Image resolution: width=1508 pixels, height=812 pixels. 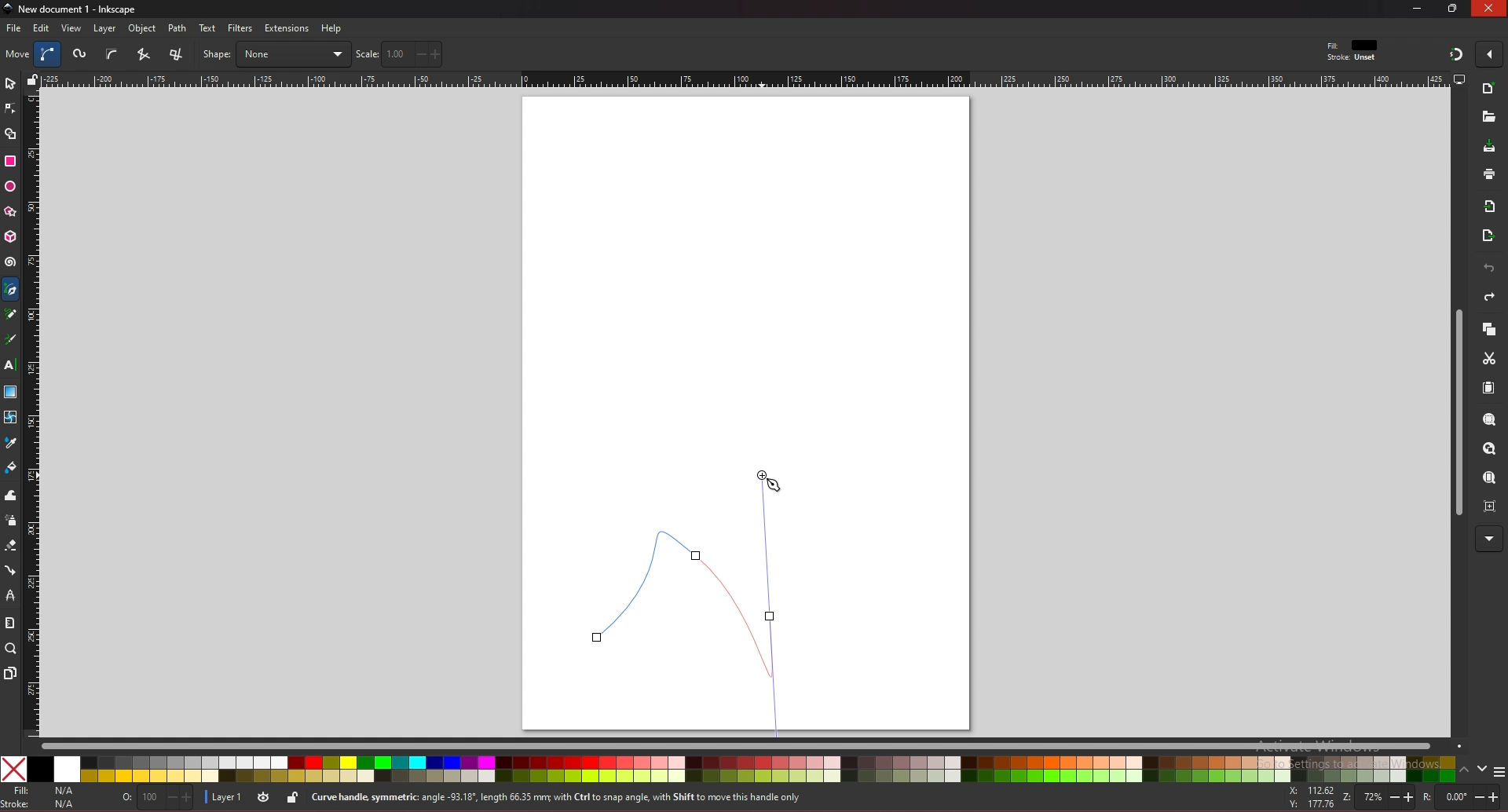 I want to click on shape builder, so click(x=11, y=134).